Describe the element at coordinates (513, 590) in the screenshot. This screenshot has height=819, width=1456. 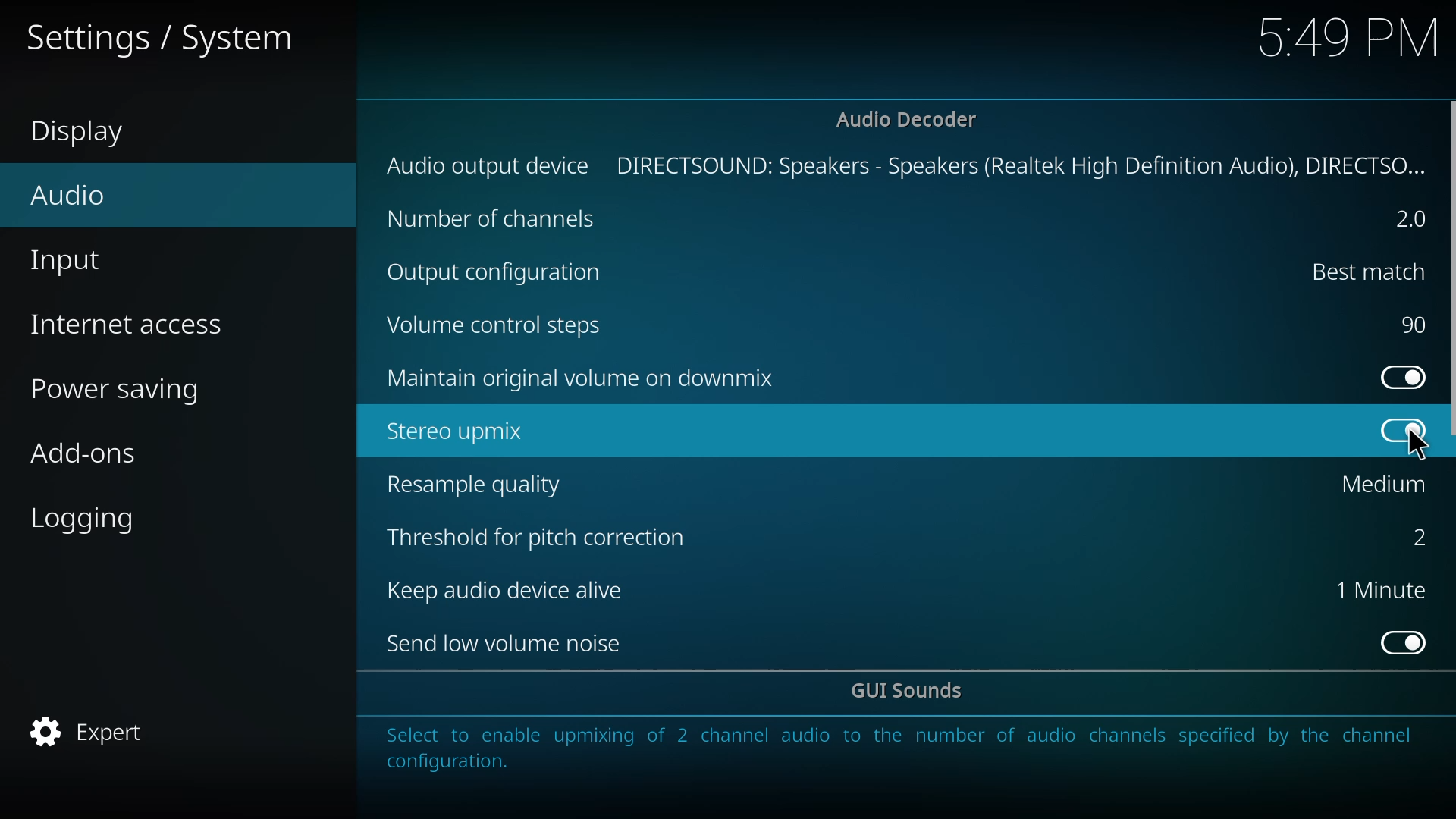
I see `keep audio device alive` at that location.